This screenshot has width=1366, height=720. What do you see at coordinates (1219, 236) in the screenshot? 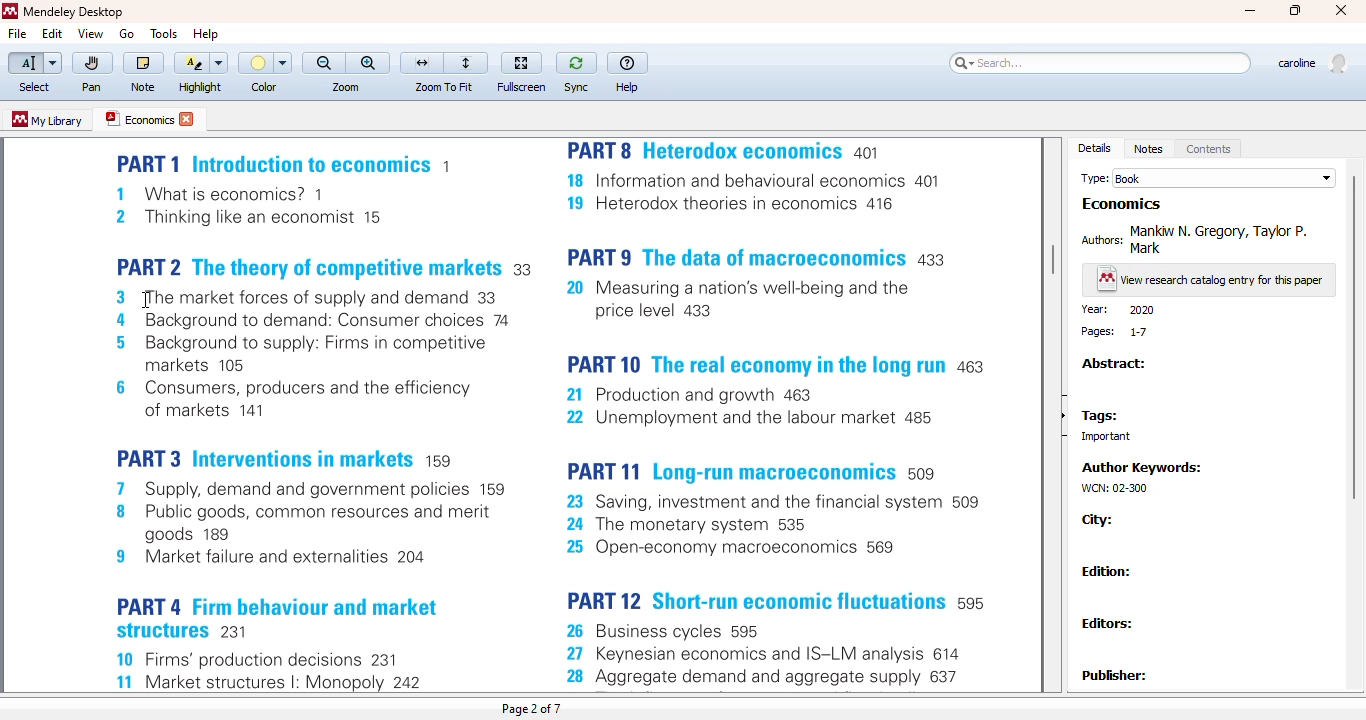
I see `Mankiw N. Gregory, Taylor P. Mark` at bounding box center [1219, 236].